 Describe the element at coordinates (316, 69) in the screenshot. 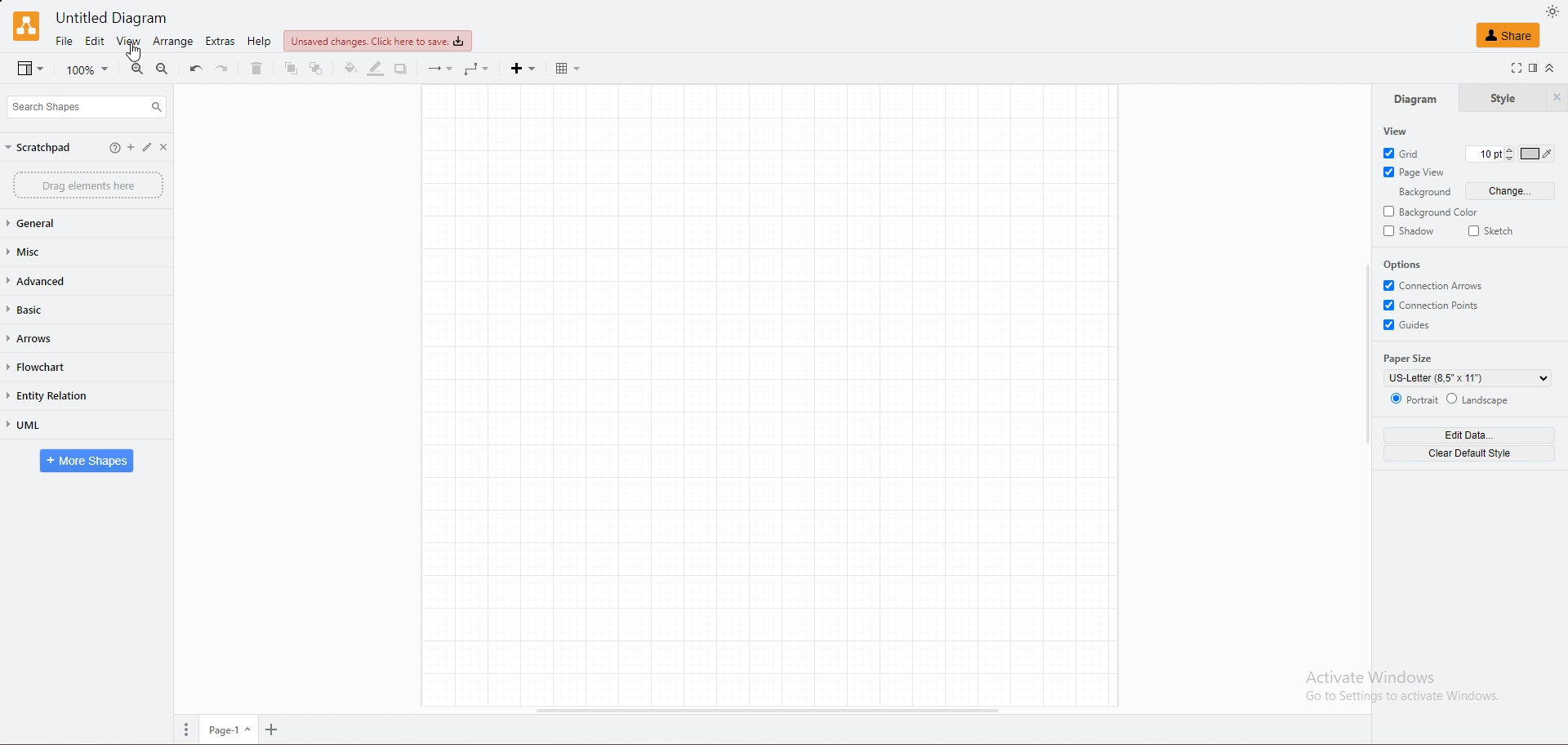

I see `to back` at that location.